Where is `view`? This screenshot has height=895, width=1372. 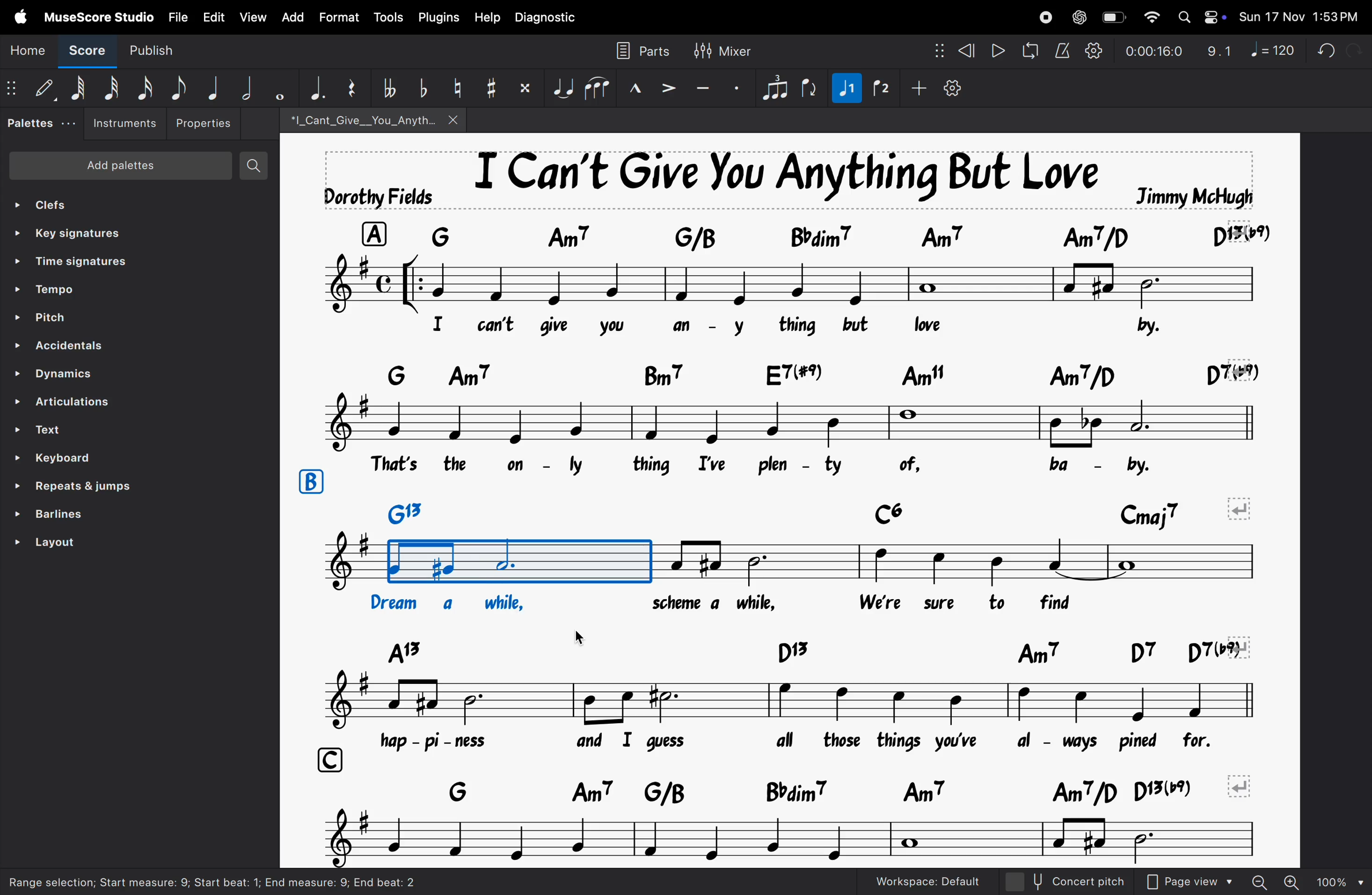 view is located at coordinates (253, 18).